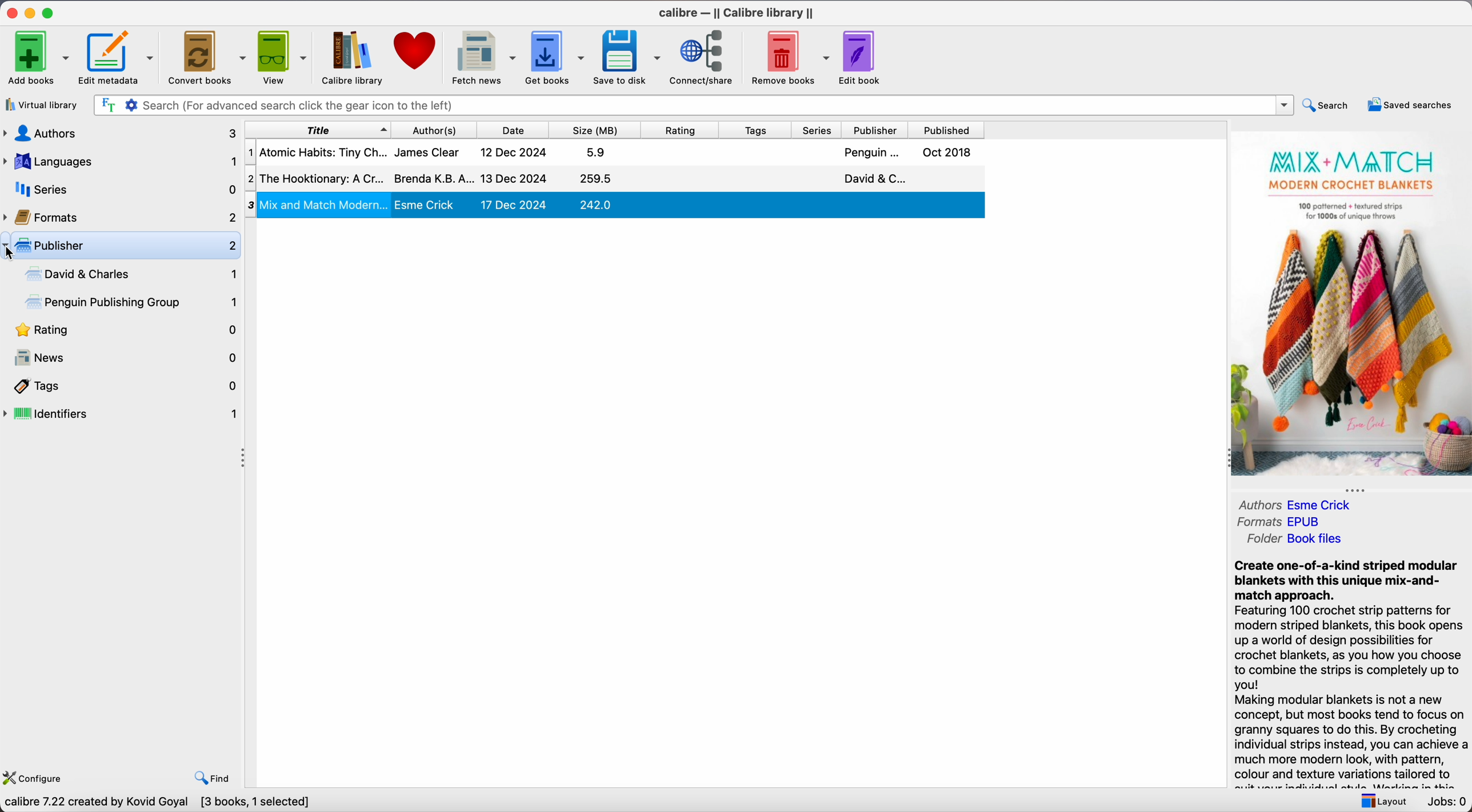 This screenshot has height=812, width=1472. What do you see at coordinates (9, 253) in the screenshot?
I see `cursor` at bounding box center [9, 253].